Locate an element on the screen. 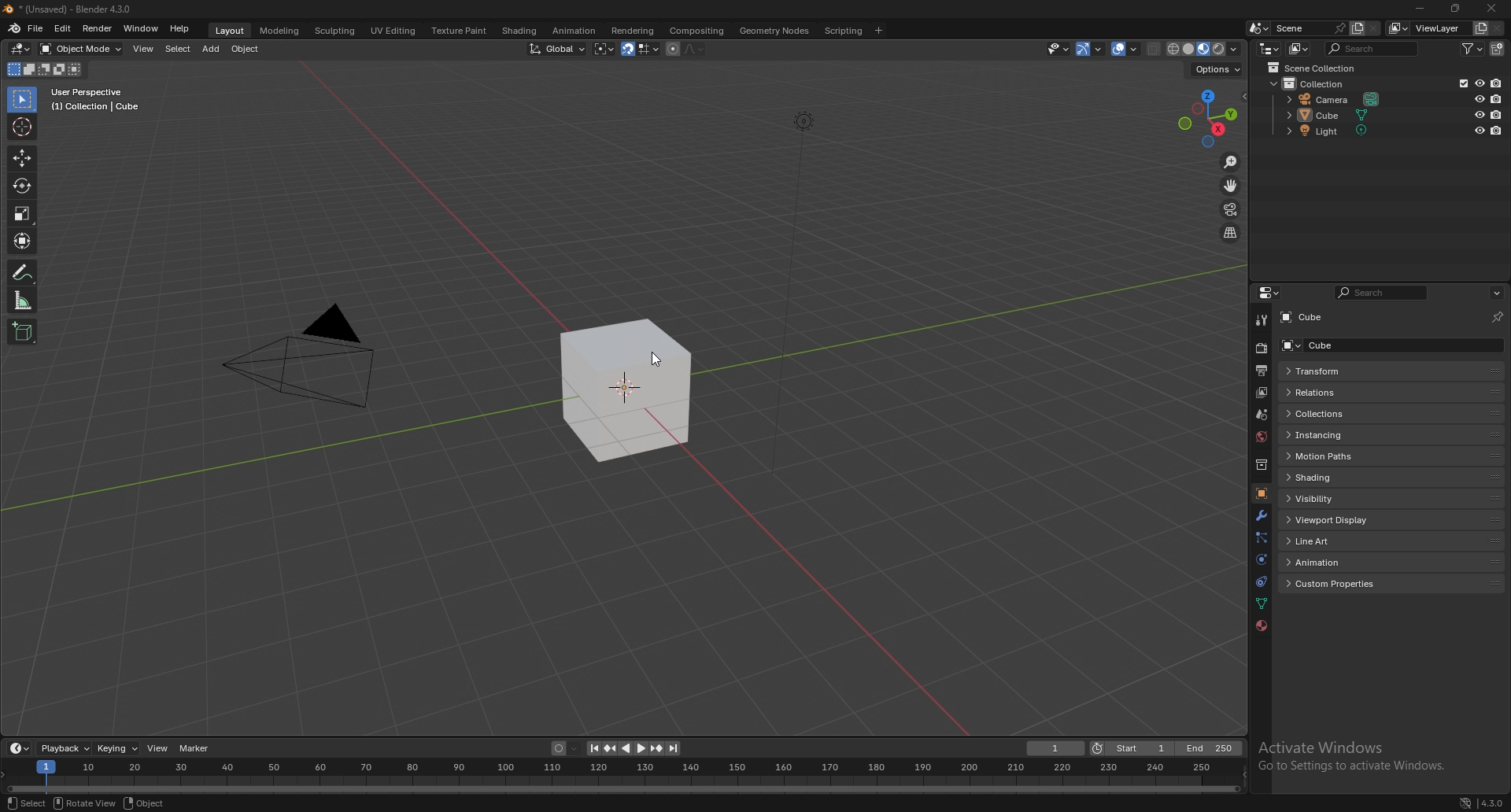 This screenshot has height=812, width=1511. zoom is located at coordinates (1231, 164).